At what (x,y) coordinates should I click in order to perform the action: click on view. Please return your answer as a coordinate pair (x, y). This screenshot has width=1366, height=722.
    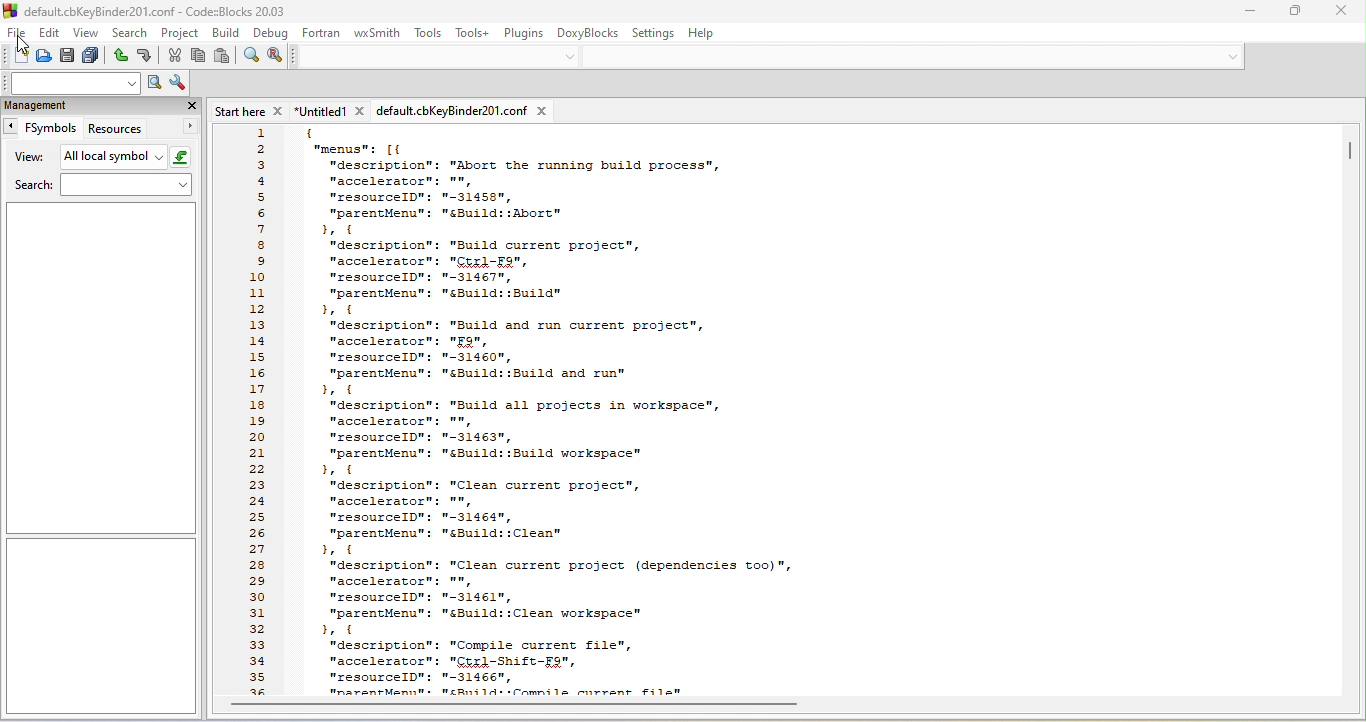
    Looking at the image, I should click on (26, 158).